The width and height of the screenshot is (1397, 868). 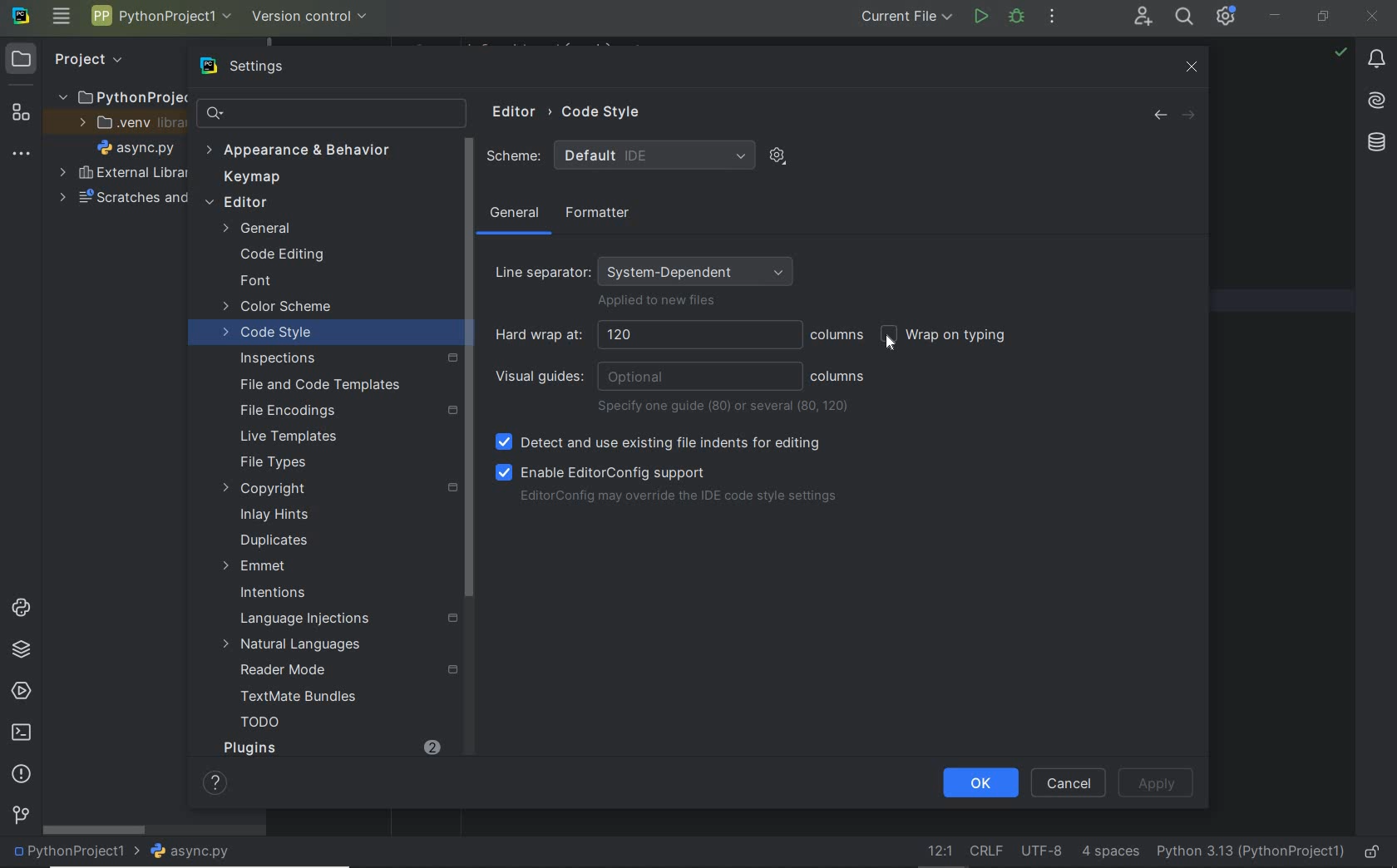 What do you see at coordinates (279, 308) in the screenshot?
I see `color scheme` at bounding box center [279, 308].